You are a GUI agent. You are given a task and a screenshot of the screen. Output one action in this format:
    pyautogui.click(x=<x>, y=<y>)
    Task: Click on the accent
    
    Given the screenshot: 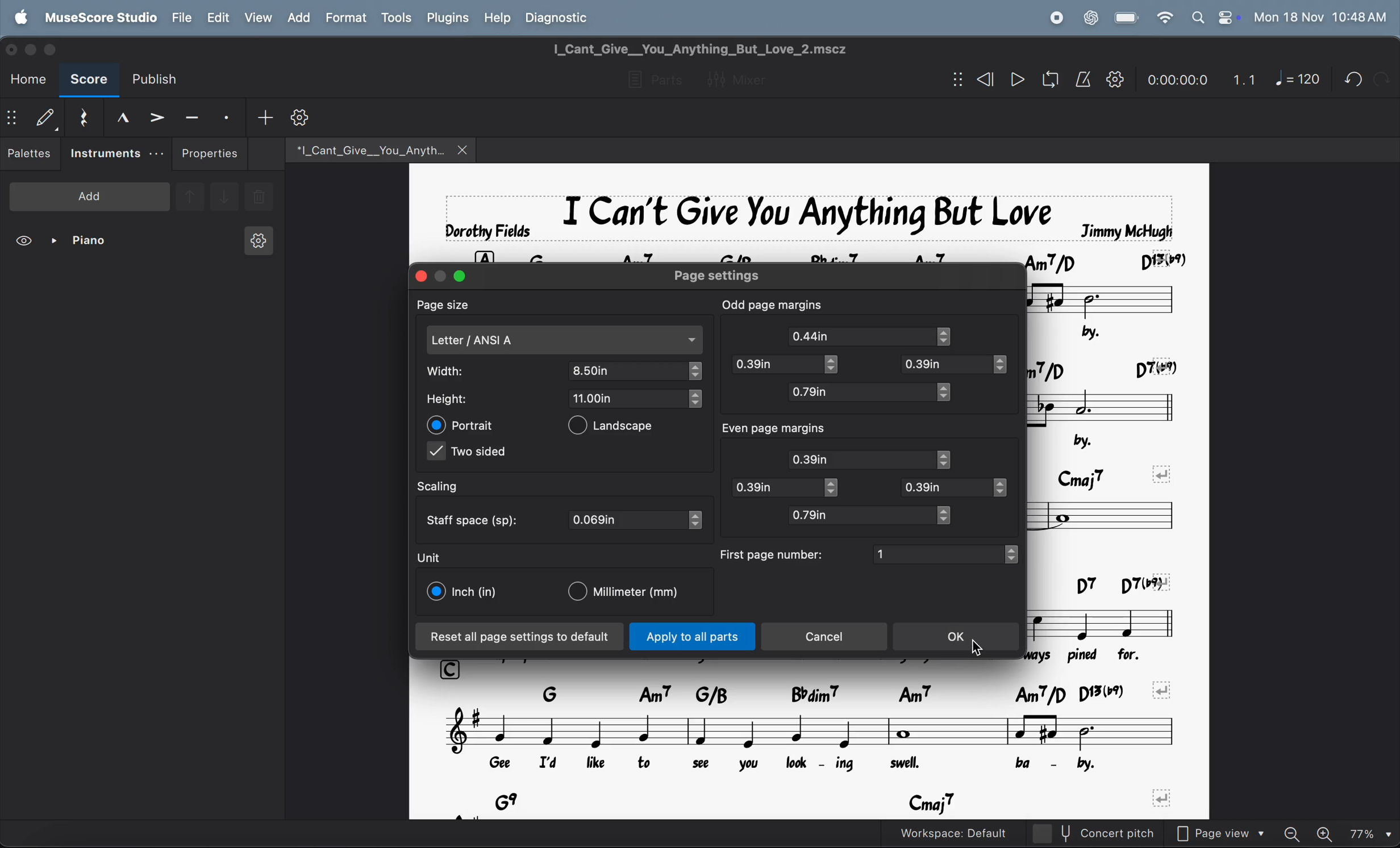 What is the action you would take?
    pyautogui.click(x=156, y=116)
    